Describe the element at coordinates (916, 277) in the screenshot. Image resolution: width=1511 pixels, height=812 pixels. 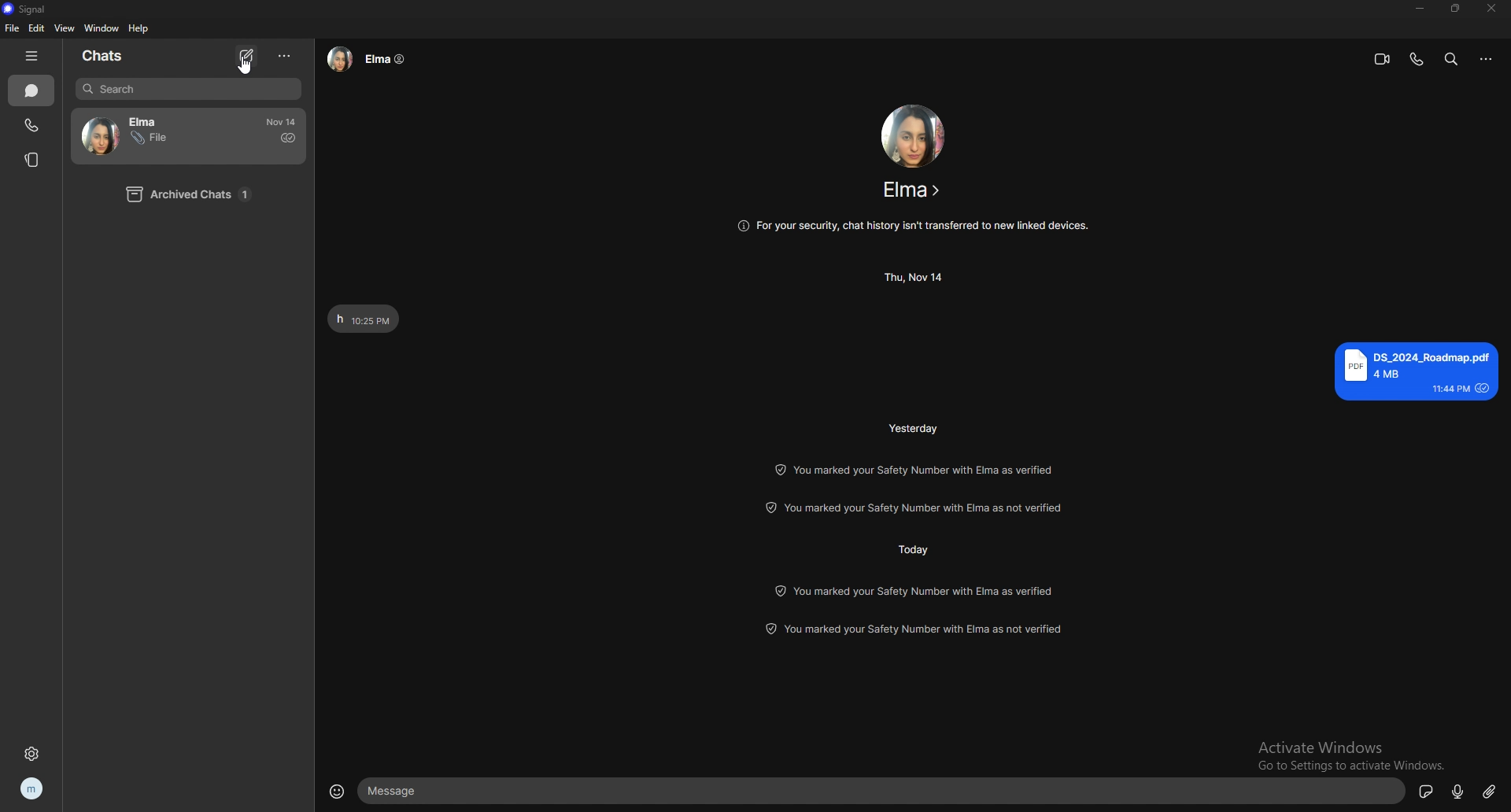
I see `time` at that location.